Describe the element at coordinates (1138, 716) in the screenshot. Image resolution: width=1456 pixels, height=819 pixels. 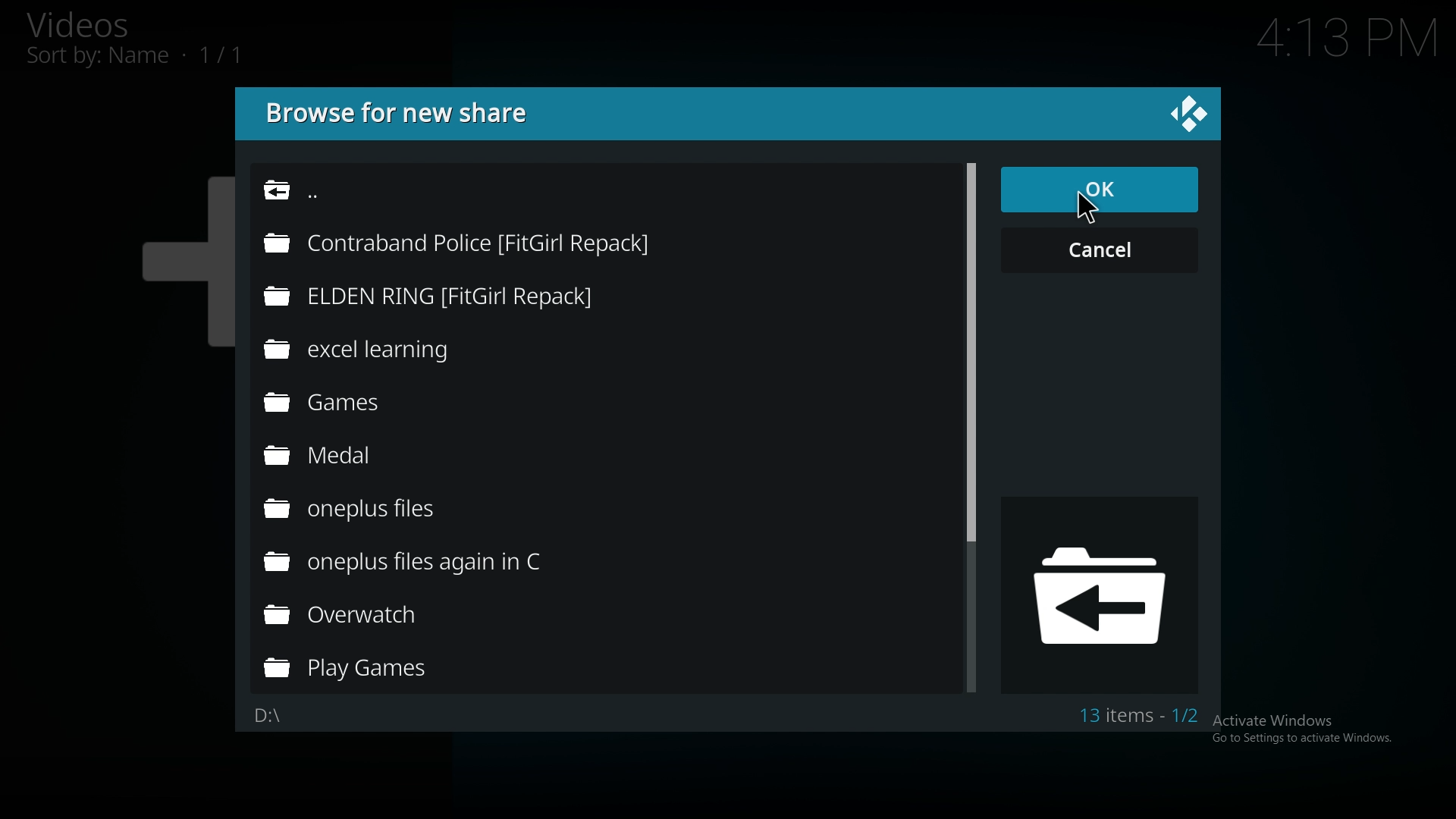
I see `13 items` at that location.